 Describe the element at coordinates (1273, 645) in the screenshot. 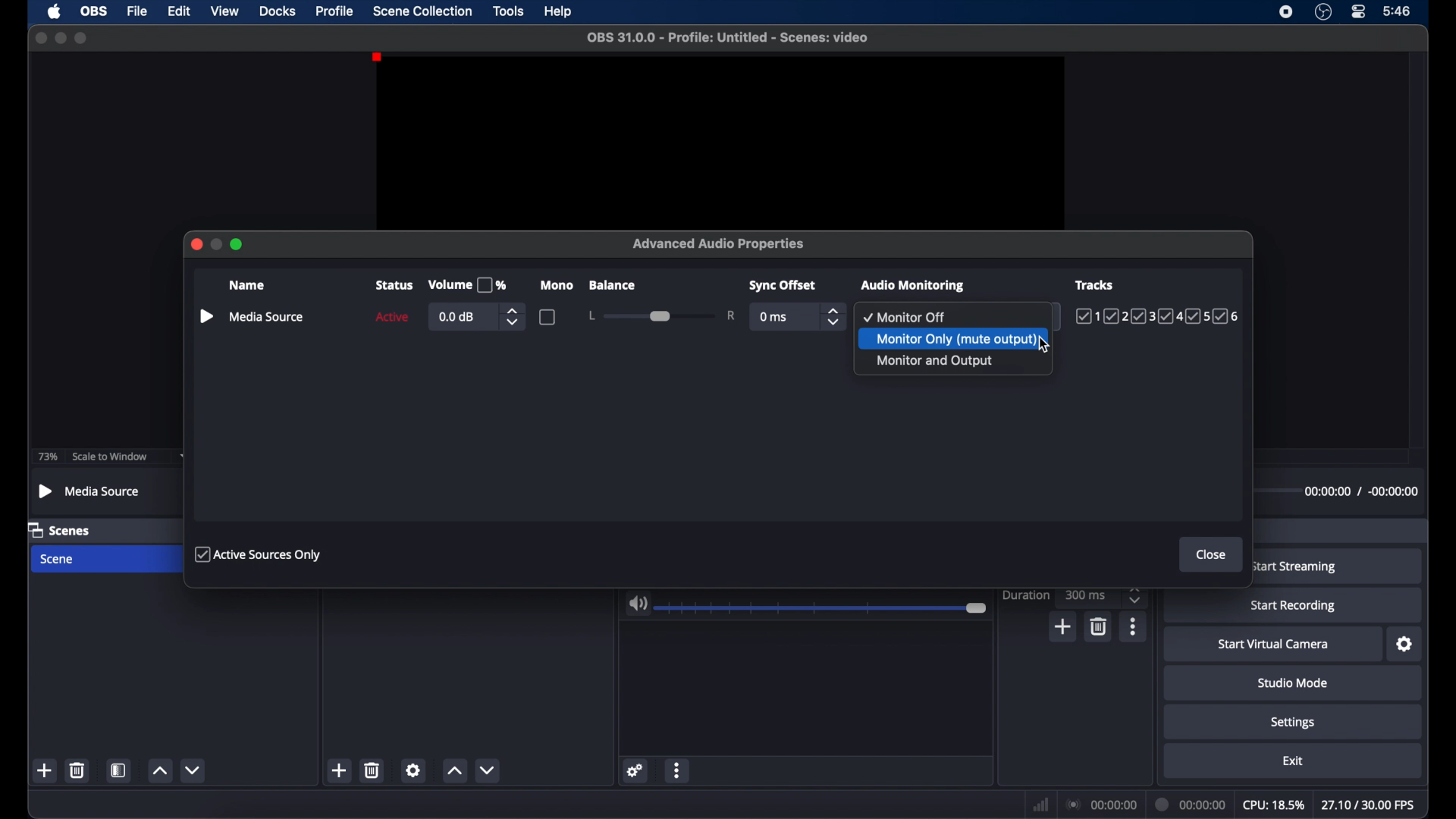

I see `start virtual camera` at that location.